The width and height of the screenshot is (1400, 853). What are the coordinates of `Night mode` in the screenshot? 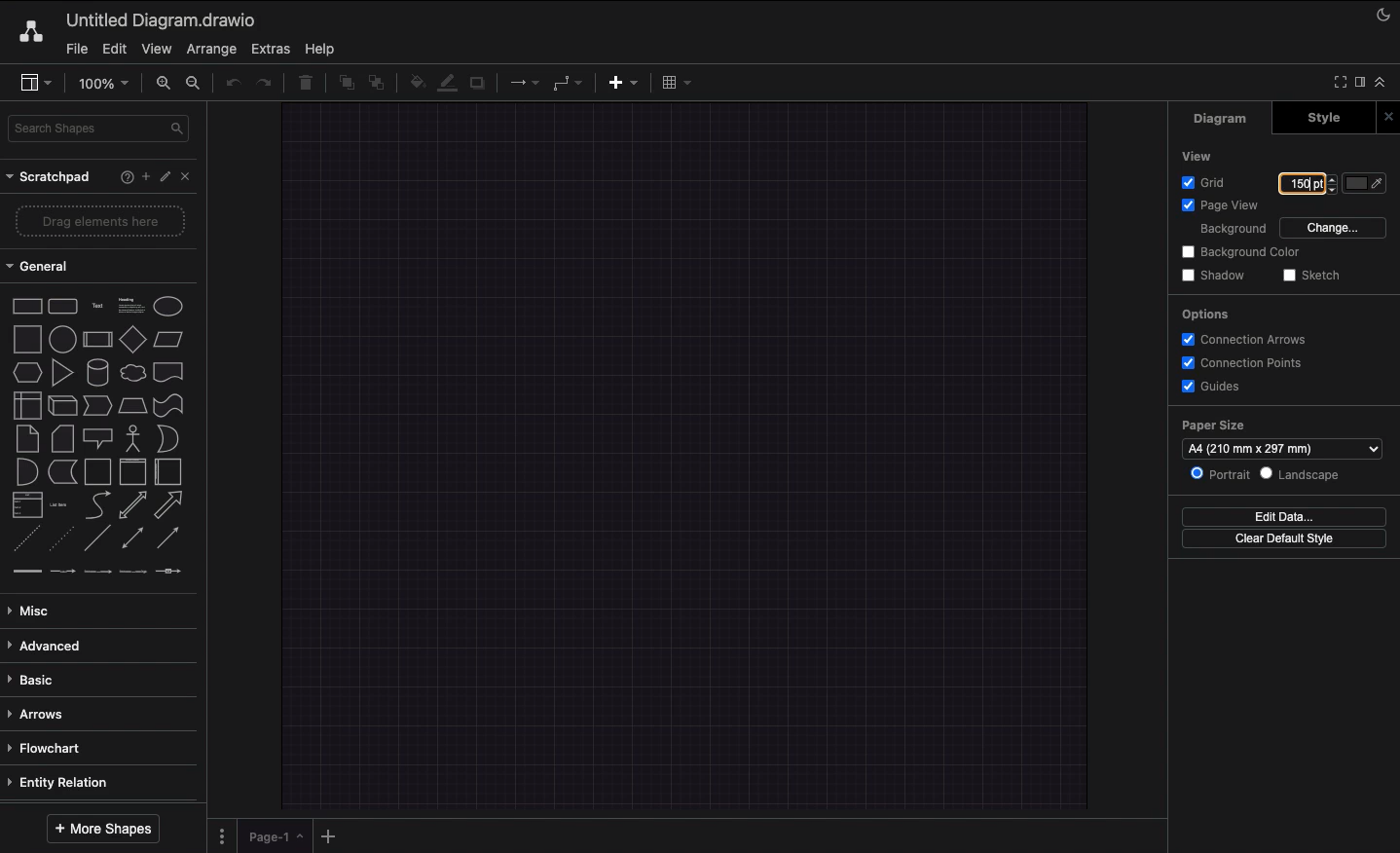 It's located at (1383, 18).